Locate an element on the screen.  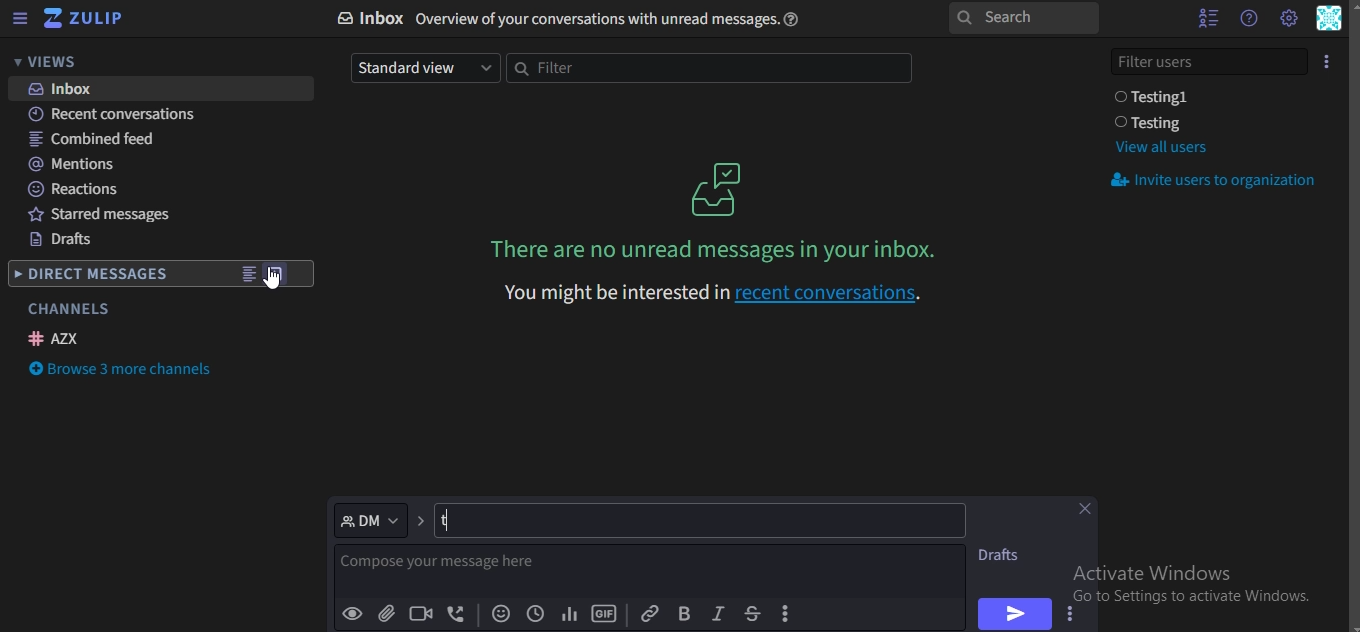
add emoji is located at coordinates (502, 615).